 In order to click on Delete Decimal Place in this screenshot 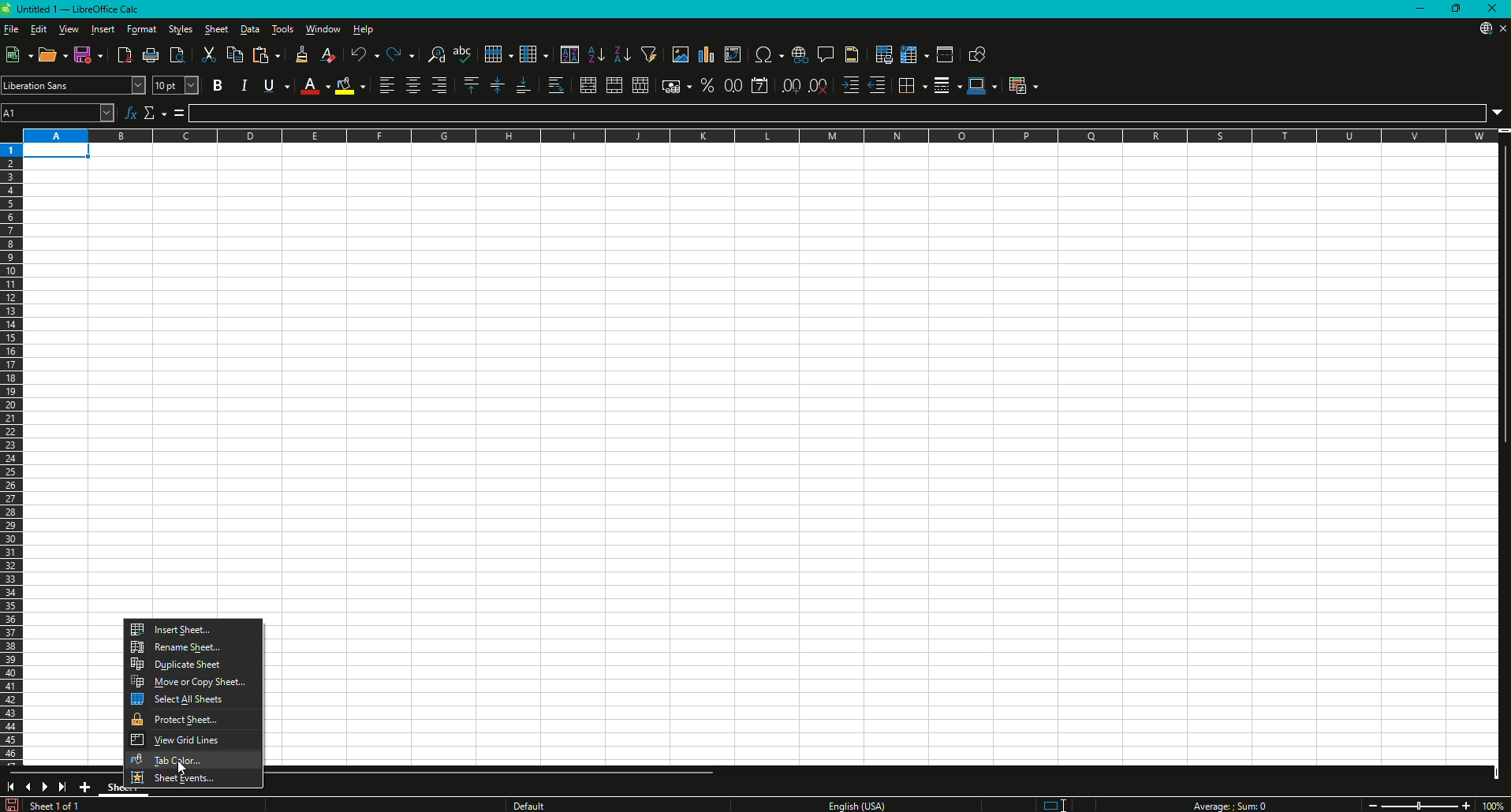, I will do `click(819, 85)`.